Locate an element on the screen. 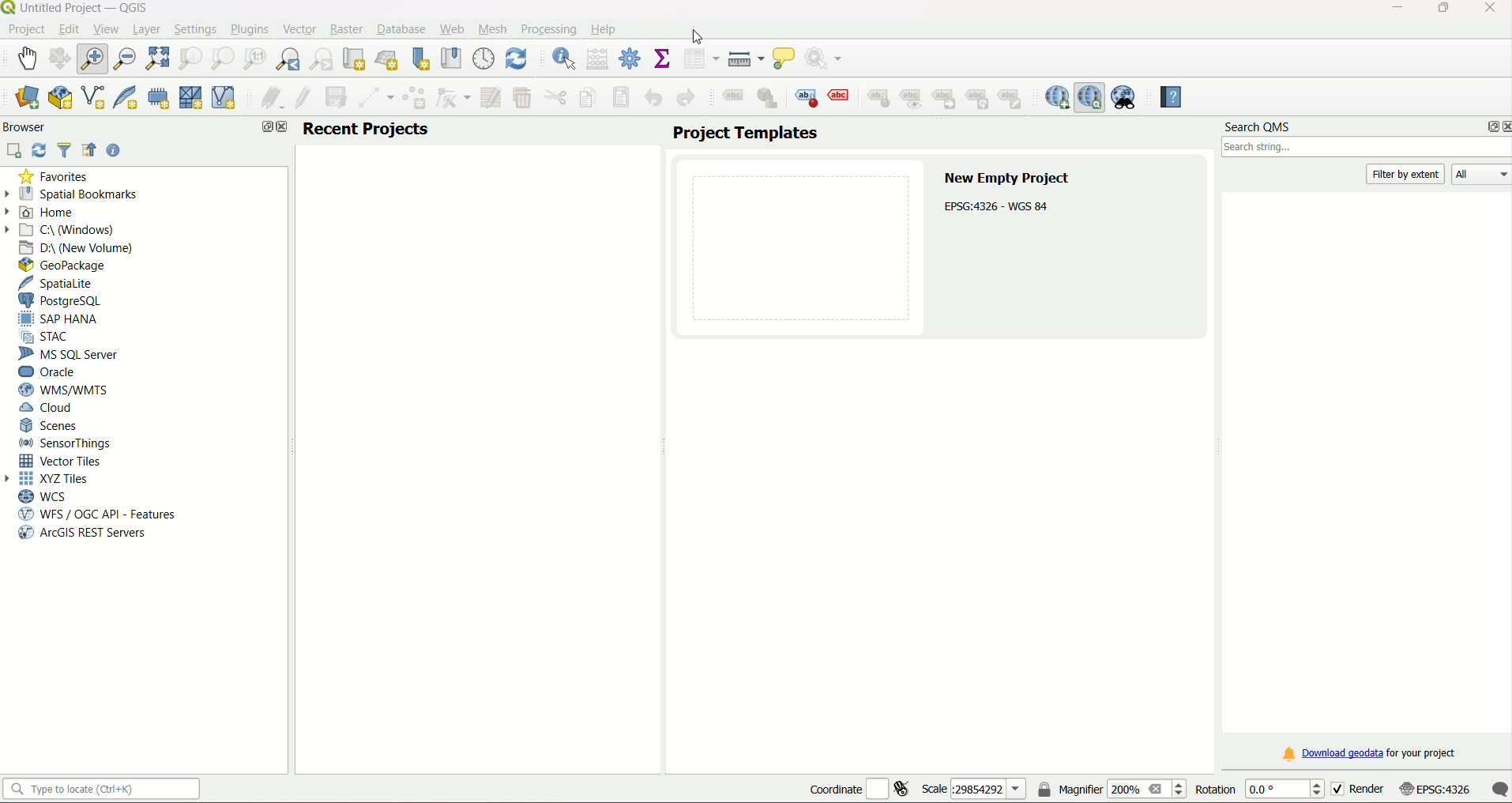 Image resolution: width=1512 pixels, height=803 pixels. add selected layer is located at coordinates (15, 150).